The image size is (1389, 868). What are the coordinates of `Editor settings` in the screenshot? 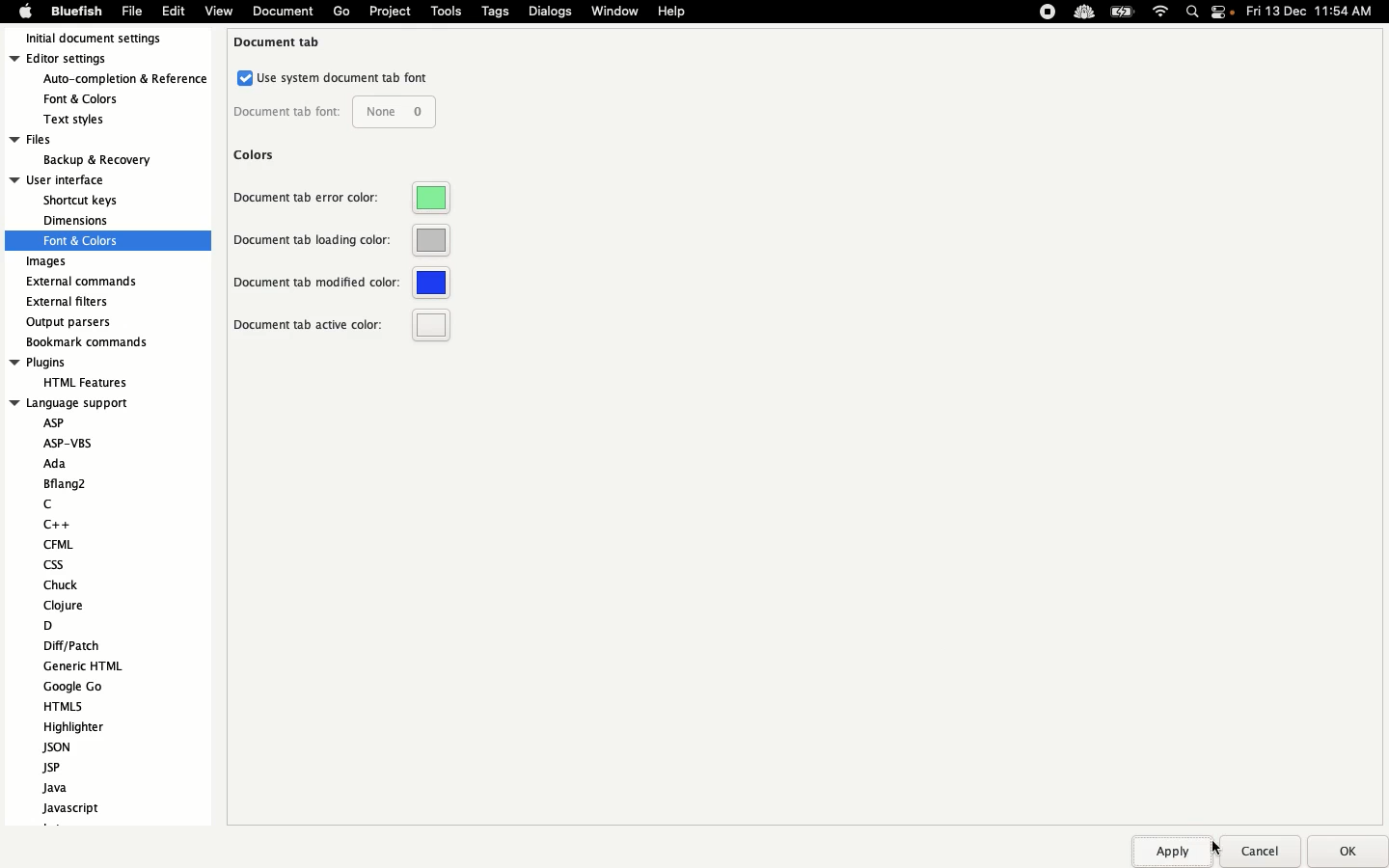 It's located at (104, 60).